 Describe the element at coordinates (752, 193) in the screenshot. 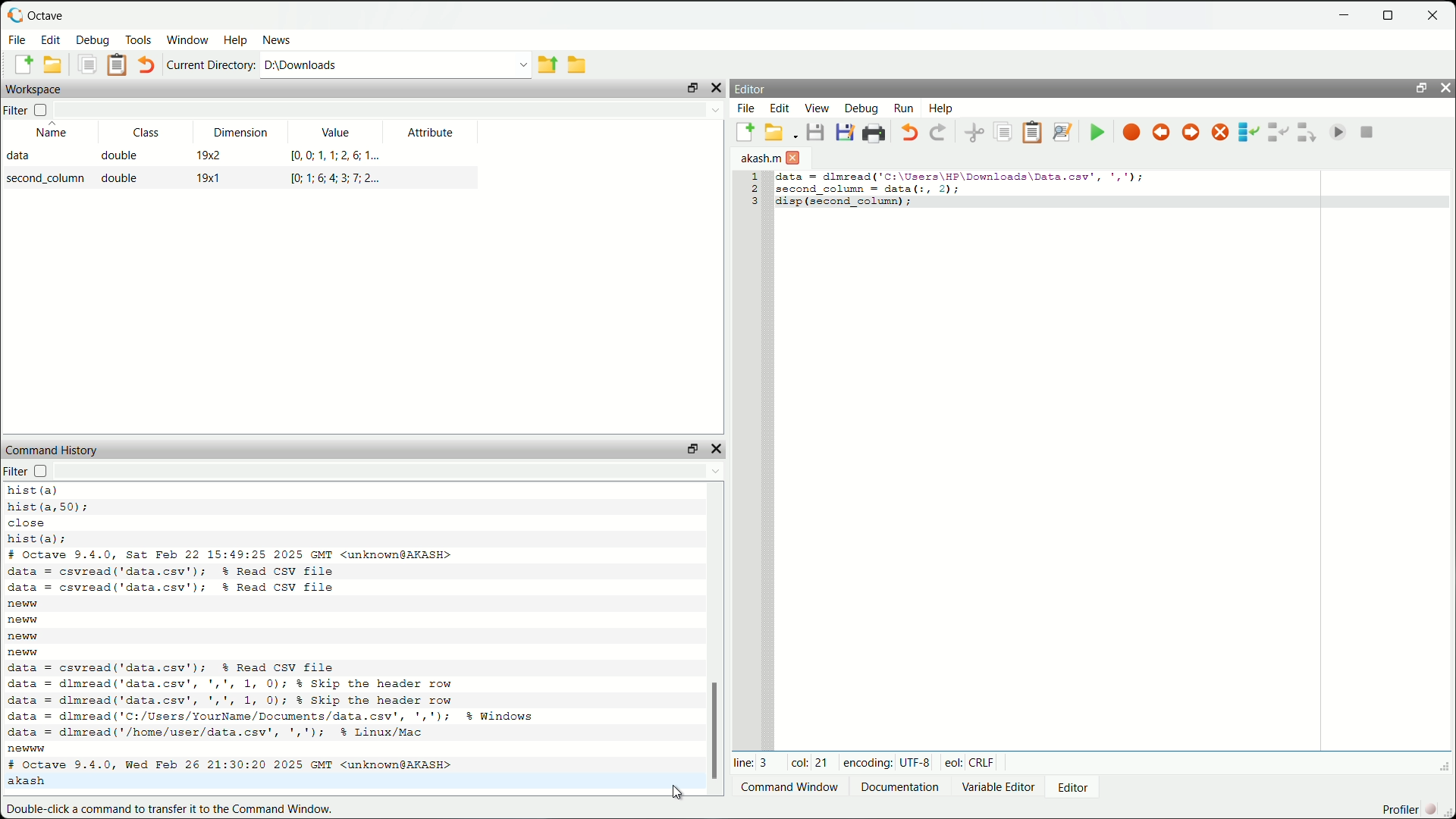

I see `serial numbers` at that location.